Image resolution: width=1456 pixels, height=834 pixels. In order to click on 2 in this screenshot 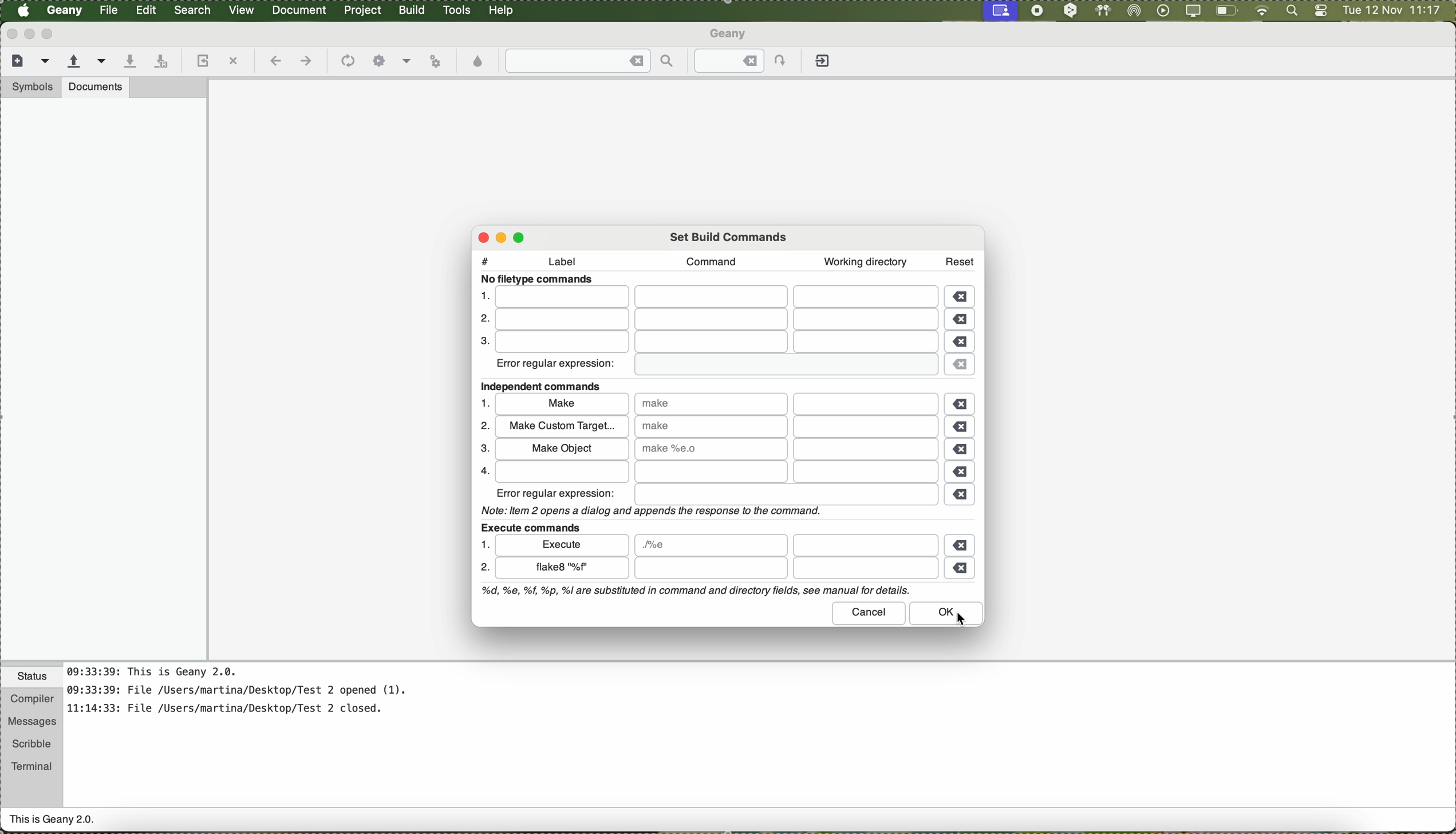, I will do `click(483, 426)`.